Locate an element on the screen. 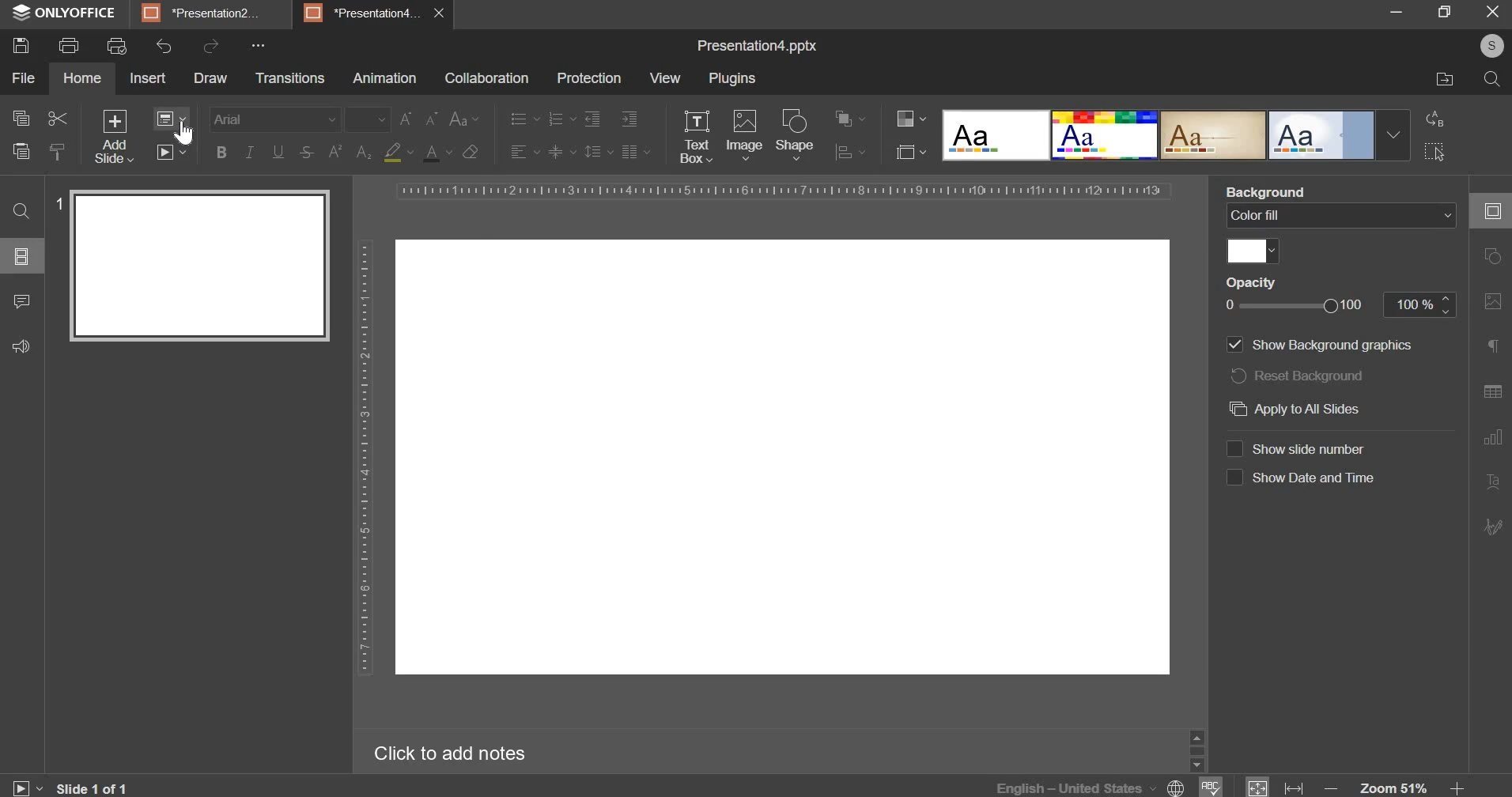 Image resolution: width=1512 pixels, height=797 pixels. image setting is located at coordinates (1490, 301).